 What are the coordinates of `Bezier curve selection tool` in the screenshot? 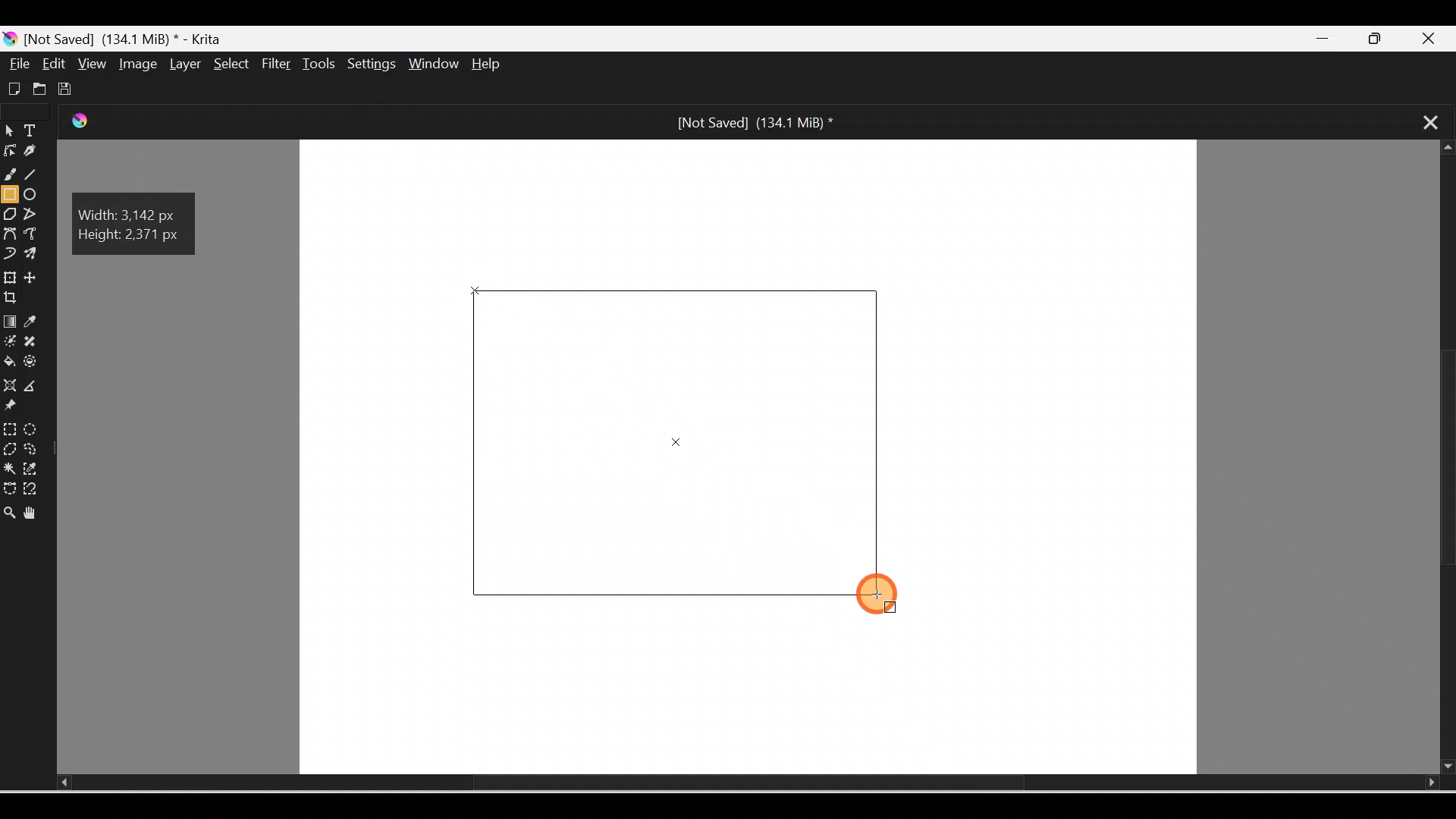 It's located at (9, 485).